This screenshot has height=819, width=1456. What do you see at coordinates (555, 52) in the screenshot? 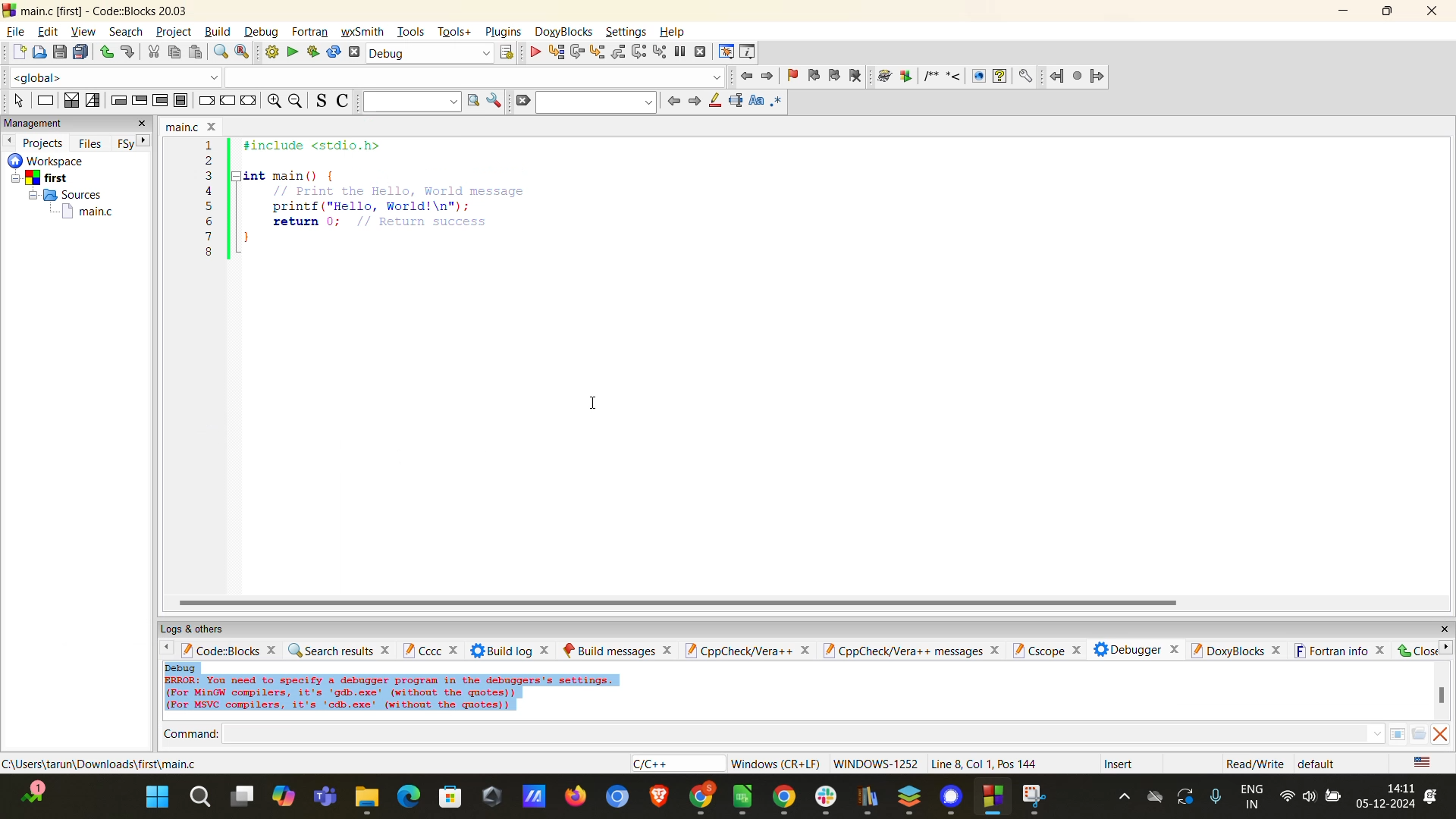
I see `run to cursor` at bounding box center [555, 52].